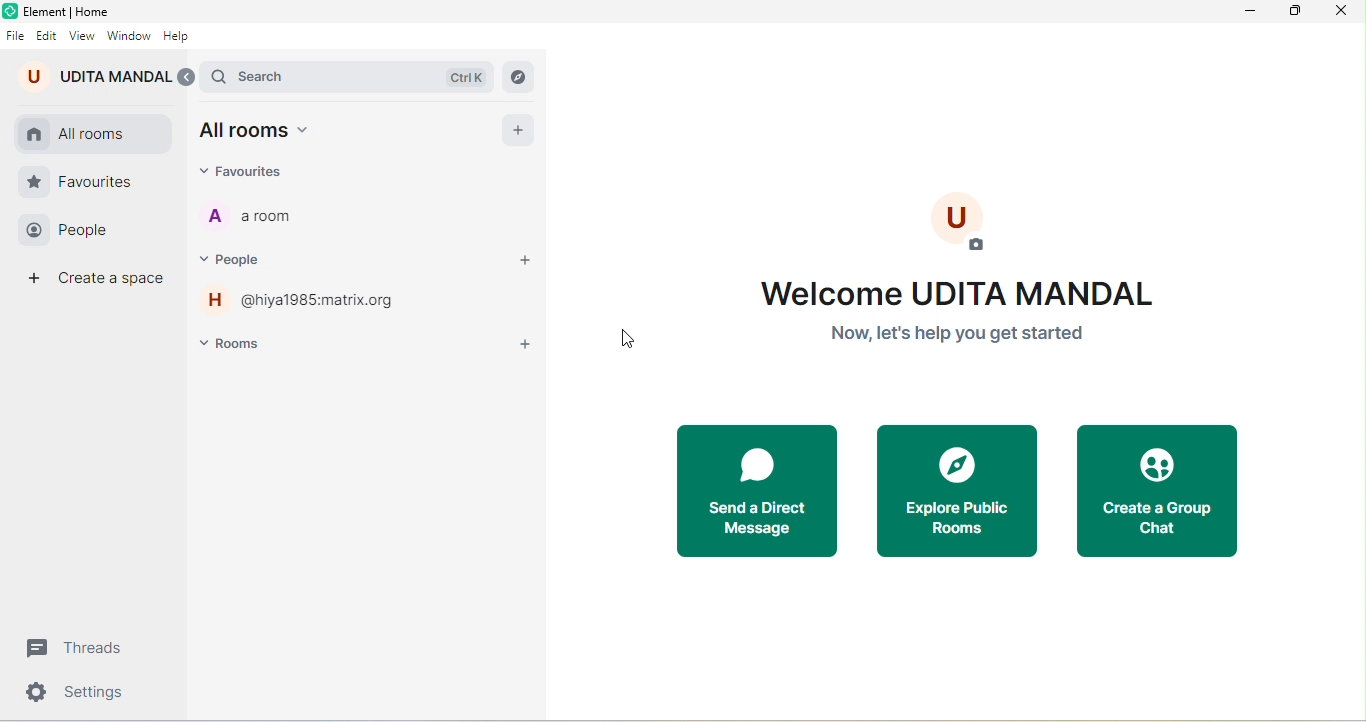 The width and height of the screenshot is (1366, 722). I want to click on create a group chat, so click(1157, 492).